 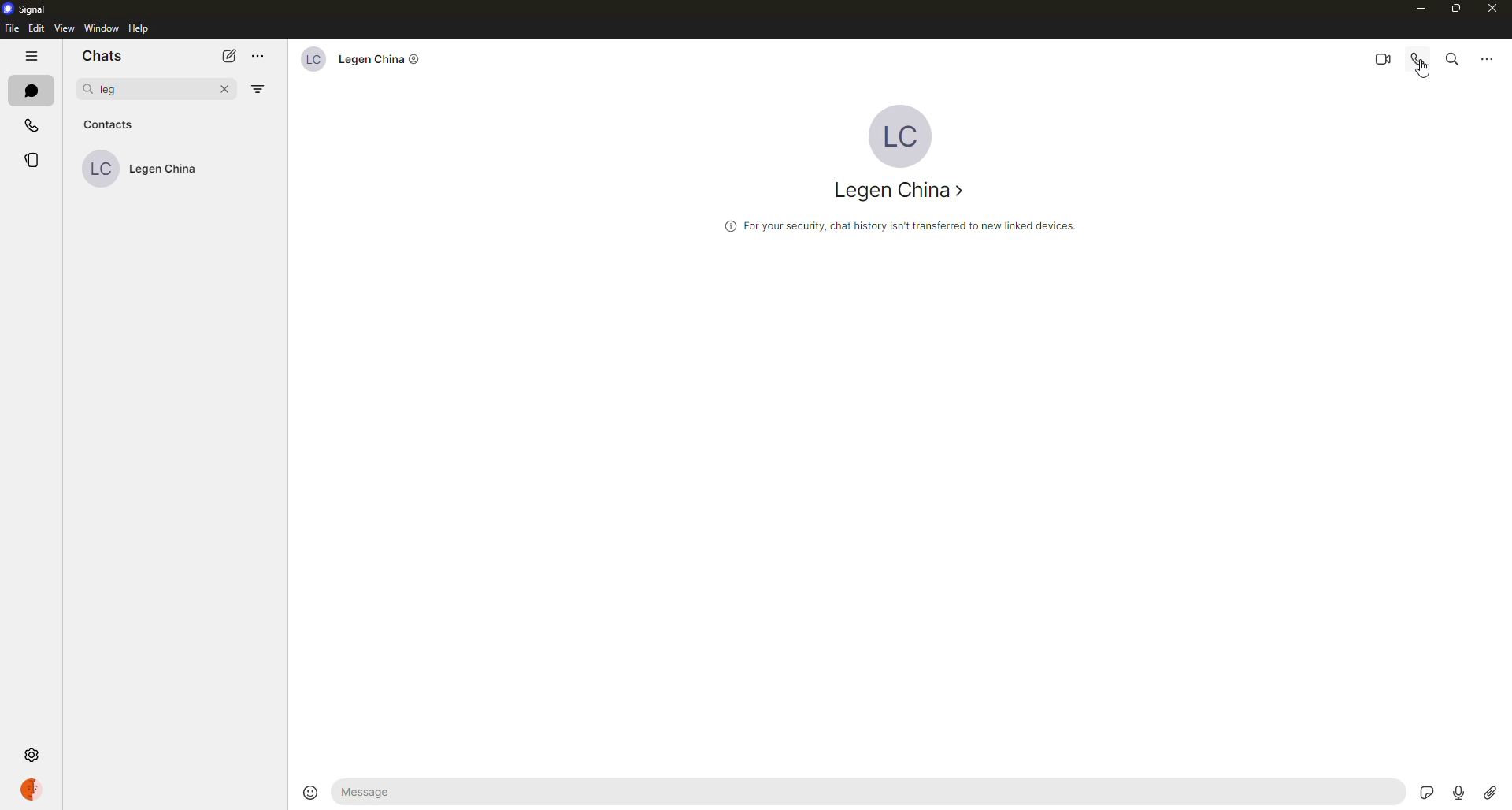 What do you see at coordinates (1422, 9) in the screenshot?
I see `minimize` at bounding box center [1422, 9].